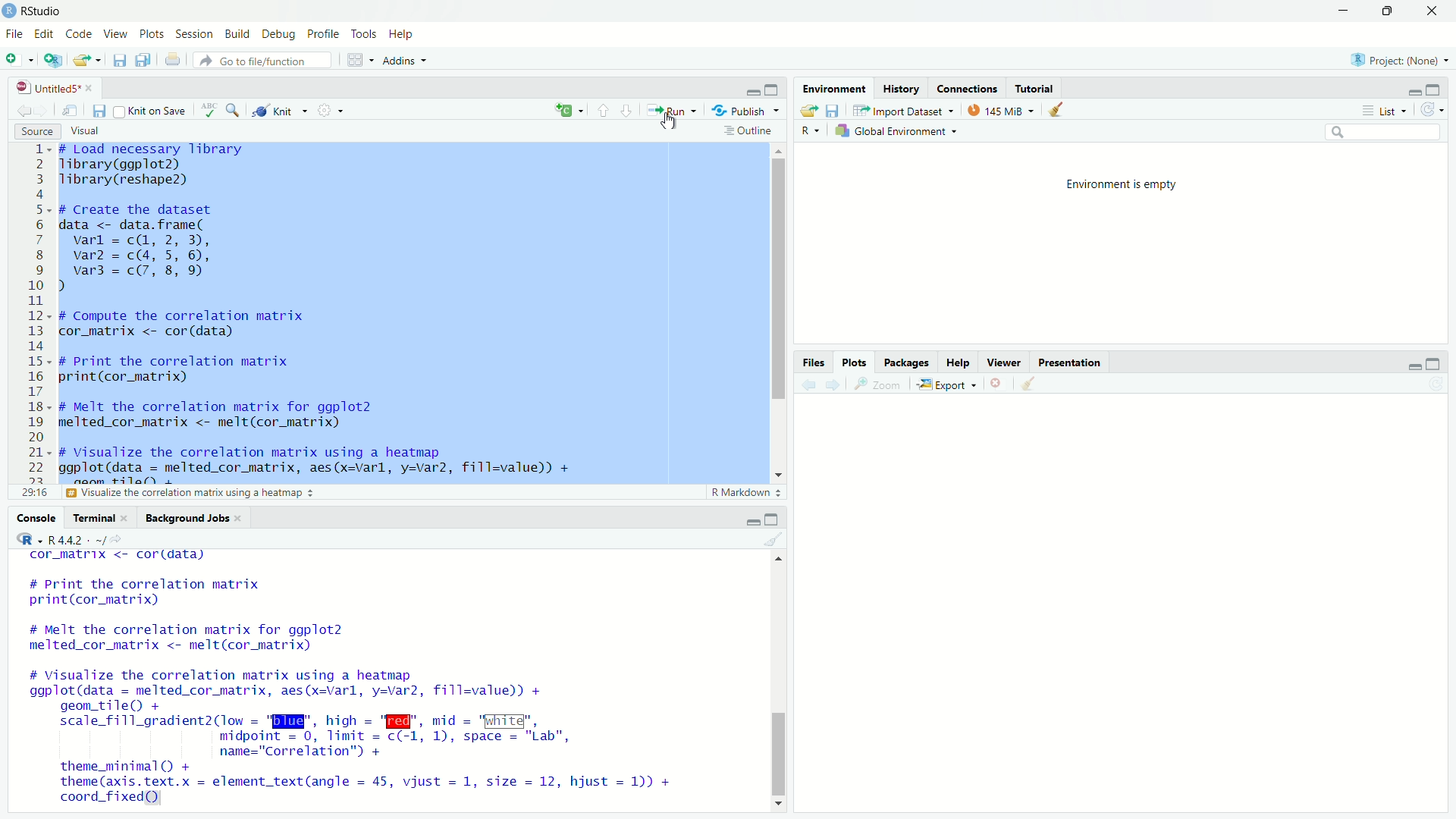  What do you see at coordinates (86, 539) in the screenshot?
I see `r language R4.4.2` at bounding box center [86, 539].